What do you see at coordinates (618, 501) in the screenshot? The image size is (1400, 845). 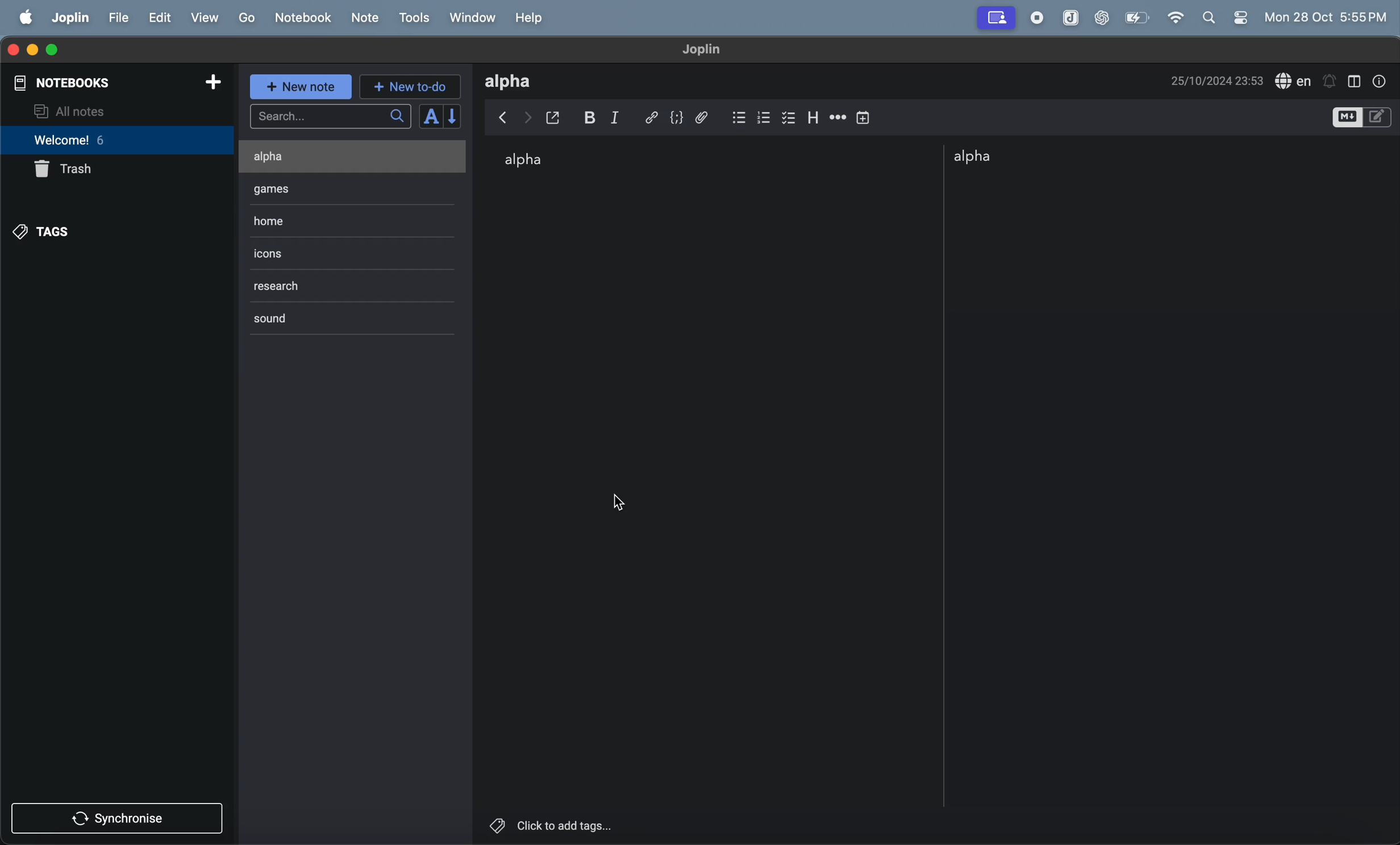 I see `cursor` at bounding box center [618, 501].